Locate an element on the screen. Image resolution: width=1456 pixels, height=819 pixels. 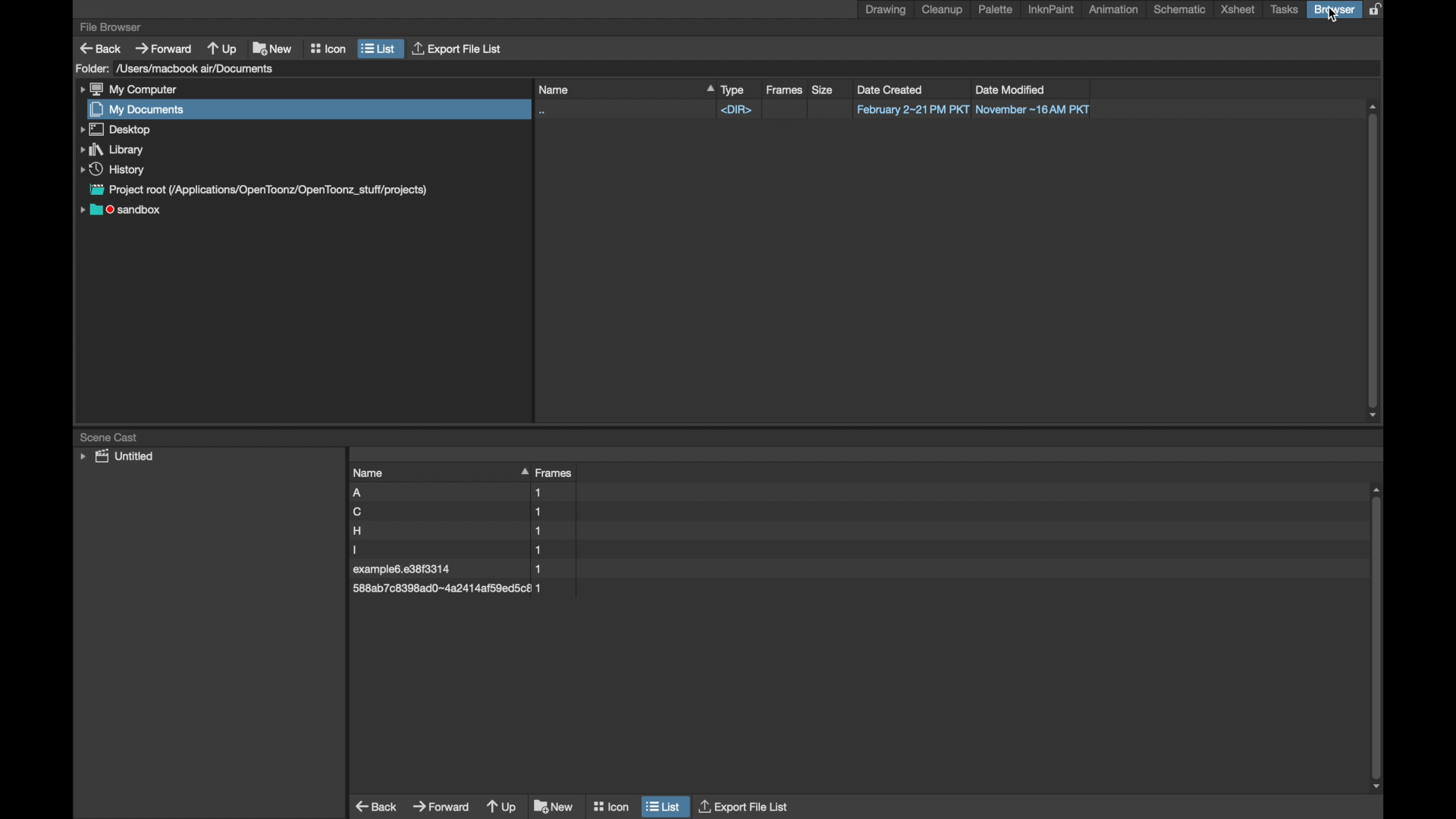
scroll box is located at coordinates (1373, 262).